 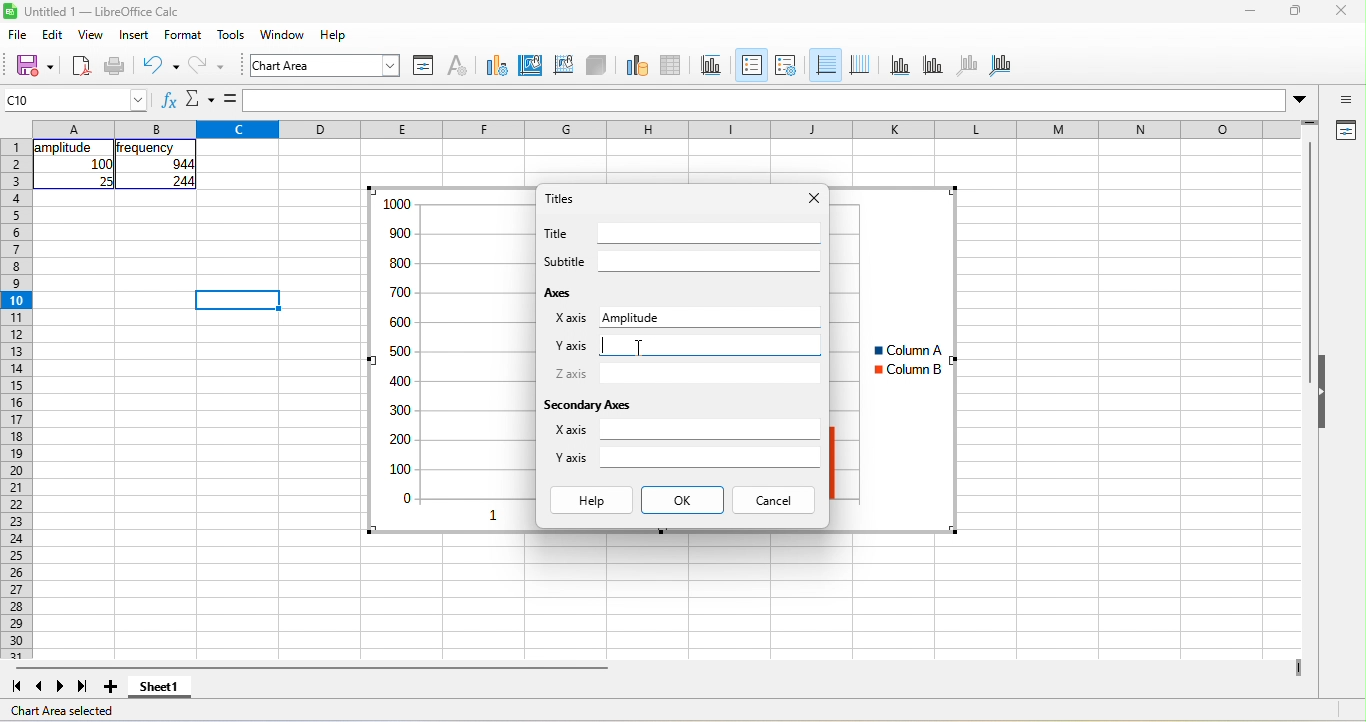 I want to click on formula bar, so click(x=765, y=100).